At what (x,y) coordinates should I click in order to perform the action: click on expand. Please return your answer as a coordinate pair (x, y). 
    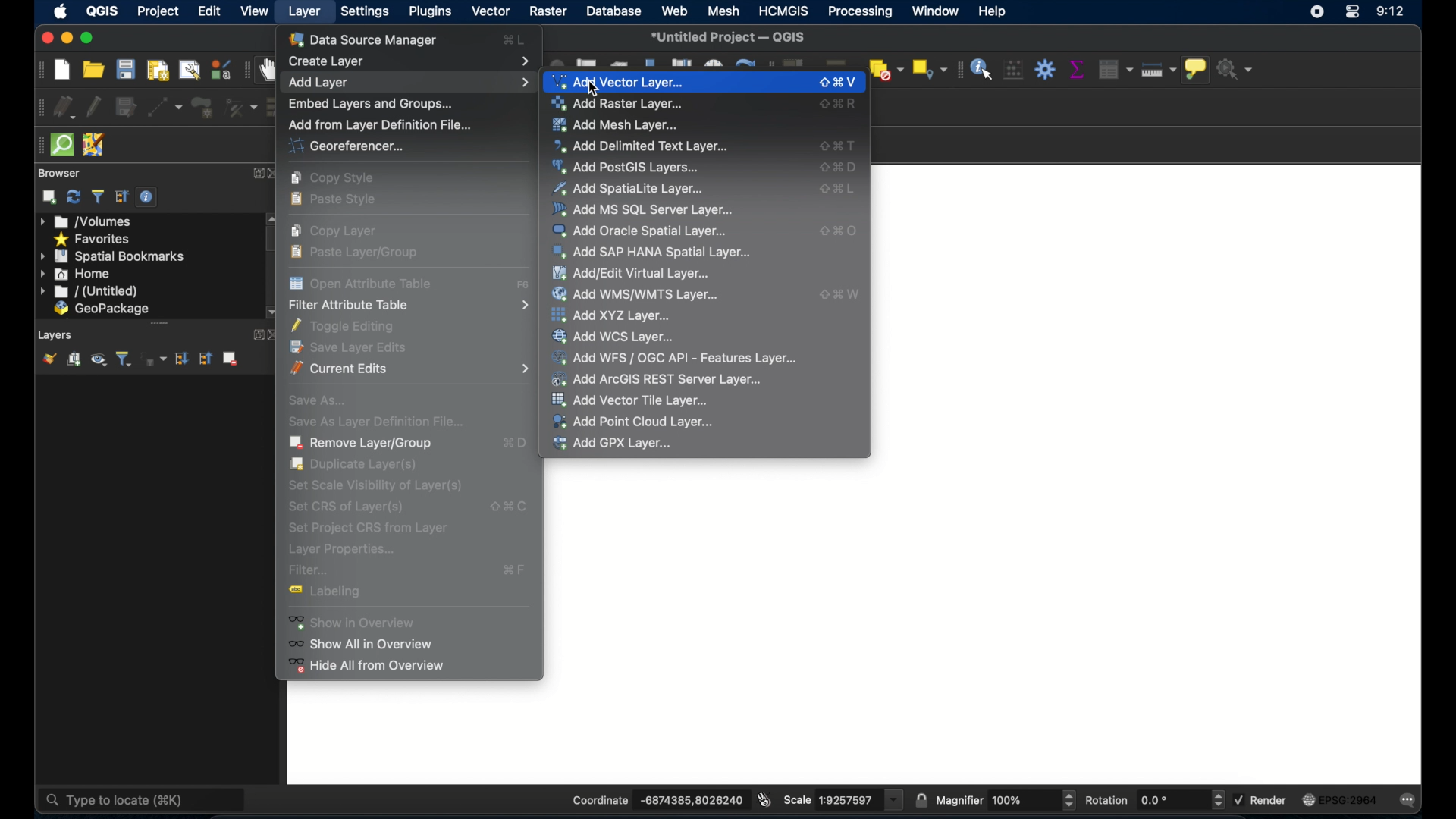
    Looking at the image, I should click on (256, 334).